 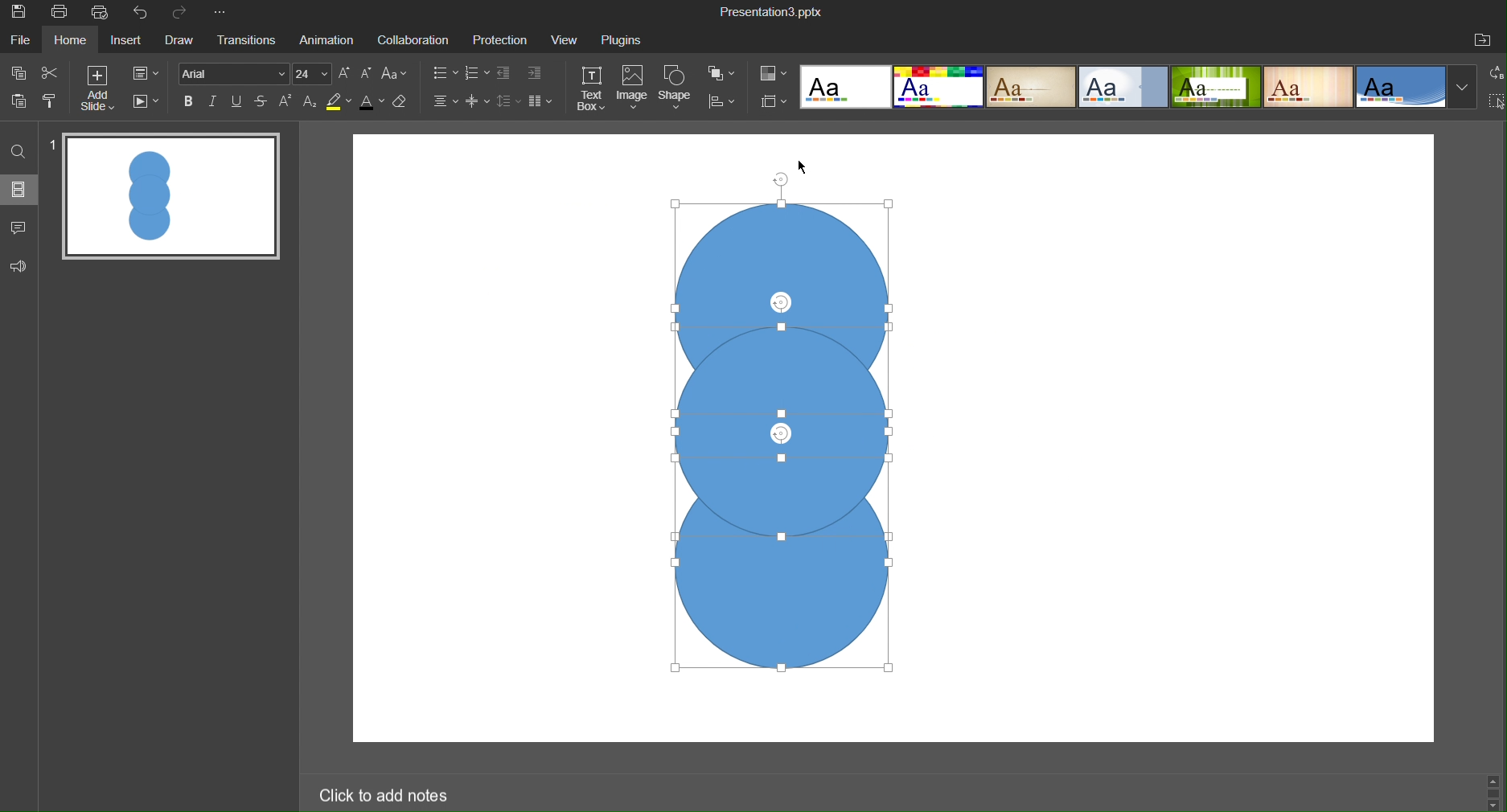 What do you see at coordinates (316, 73) in the screenshot?
I see `Font size` at bounding box center [316, 73].